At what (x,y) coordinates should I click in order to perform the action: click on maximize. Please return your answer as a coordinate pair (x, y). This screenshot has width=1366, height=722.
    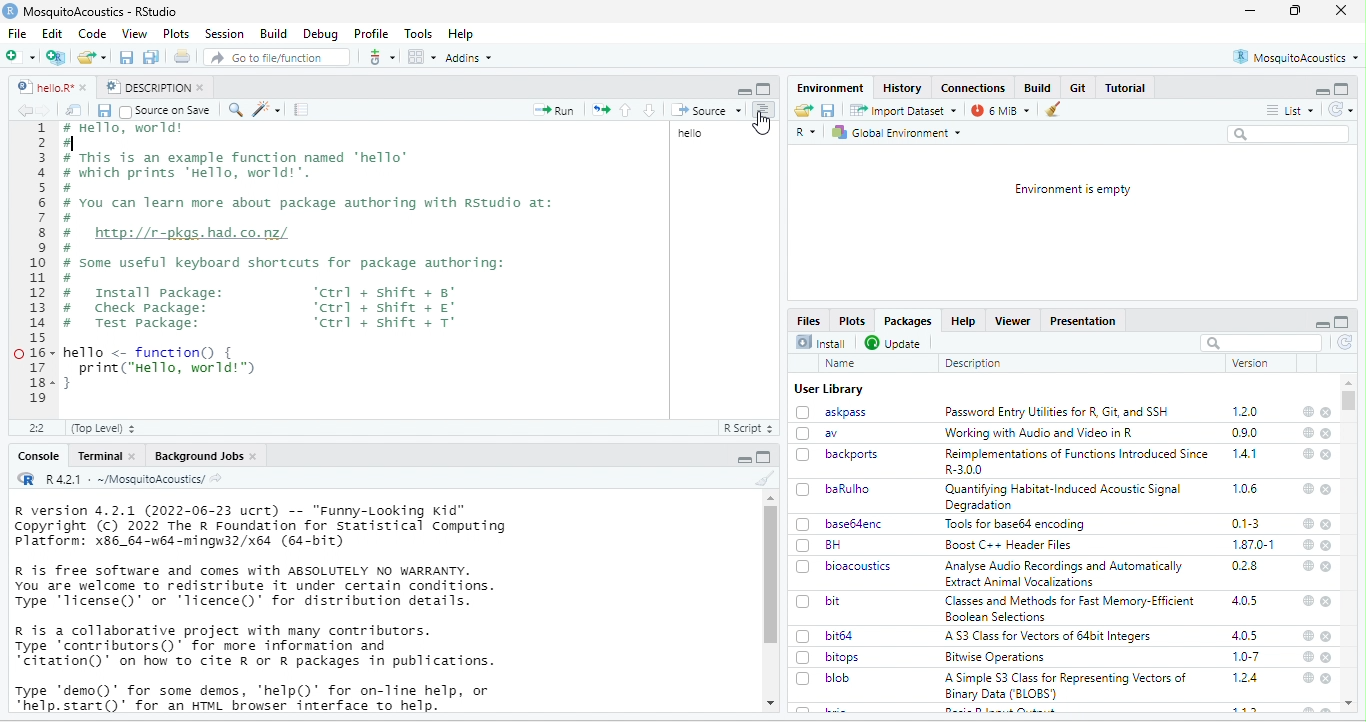
    Looking at the image, I should click on (743, 457).